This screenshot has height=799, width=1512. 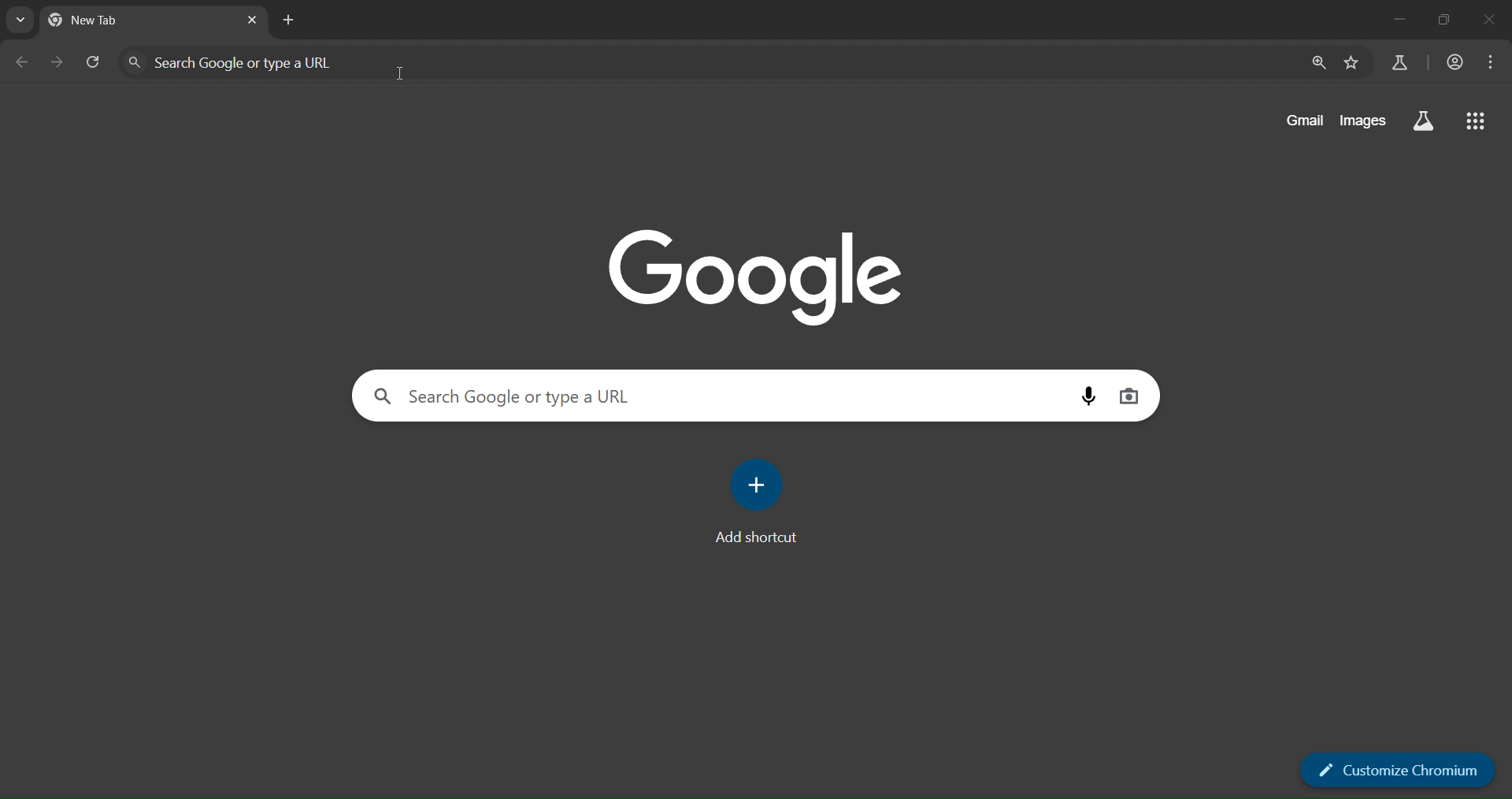 What do you see at coordinates (1395, 771) in the screenshot?
I see `customize chromium` at bounding box center [1395, 771].